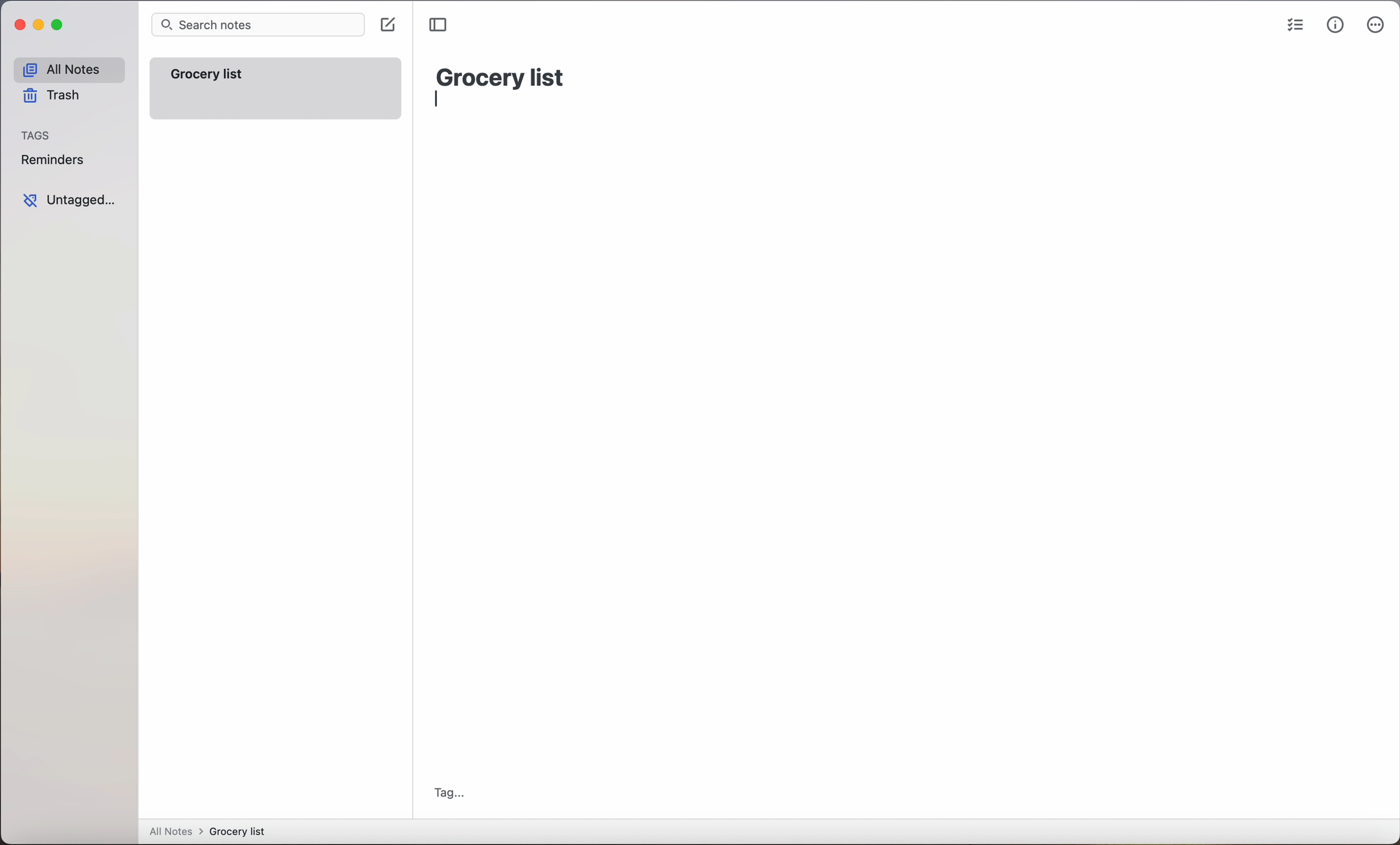 This screenshot has height=845, width=1400. Describe the element at coordinates (69, 200) in the screenshot. I see `untagged` at that location.